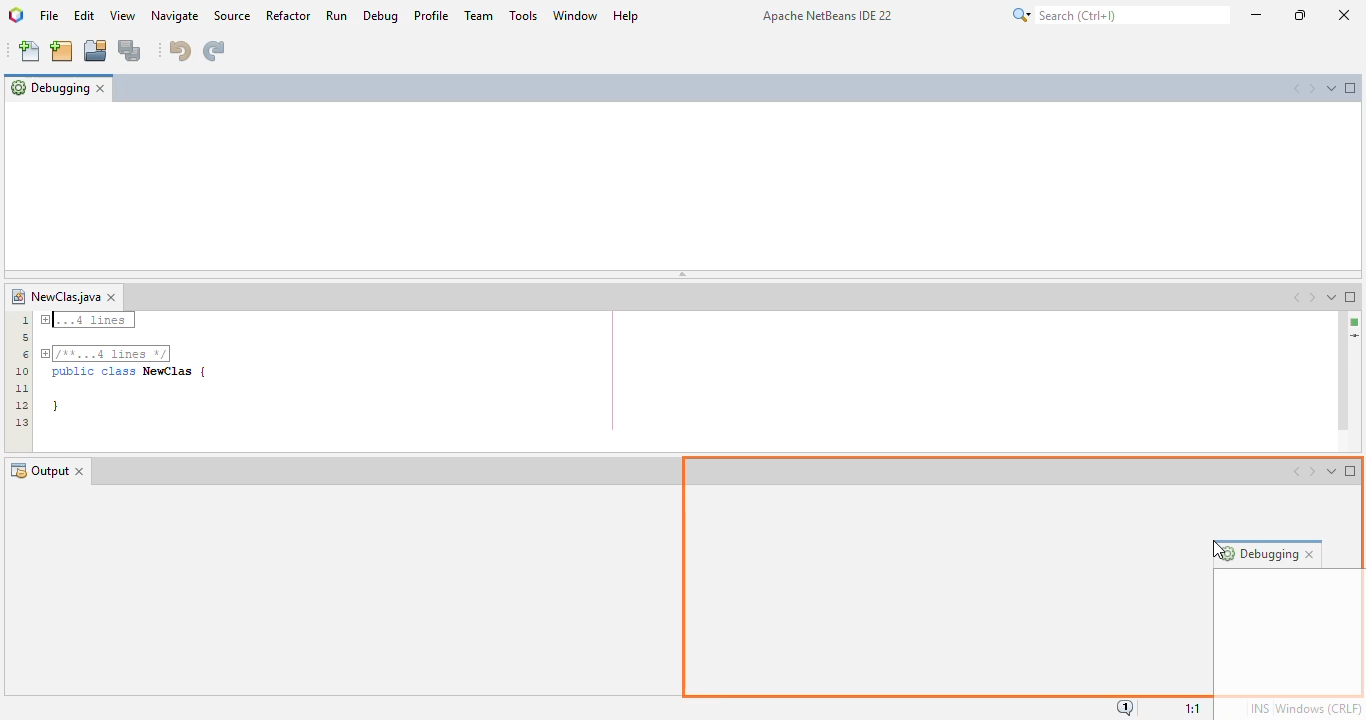 This screenshot has height=720, width=1366. What do you see at coordinates (430, 15) in the screenshot?
I see `profile` at bounding box center [430, 15].